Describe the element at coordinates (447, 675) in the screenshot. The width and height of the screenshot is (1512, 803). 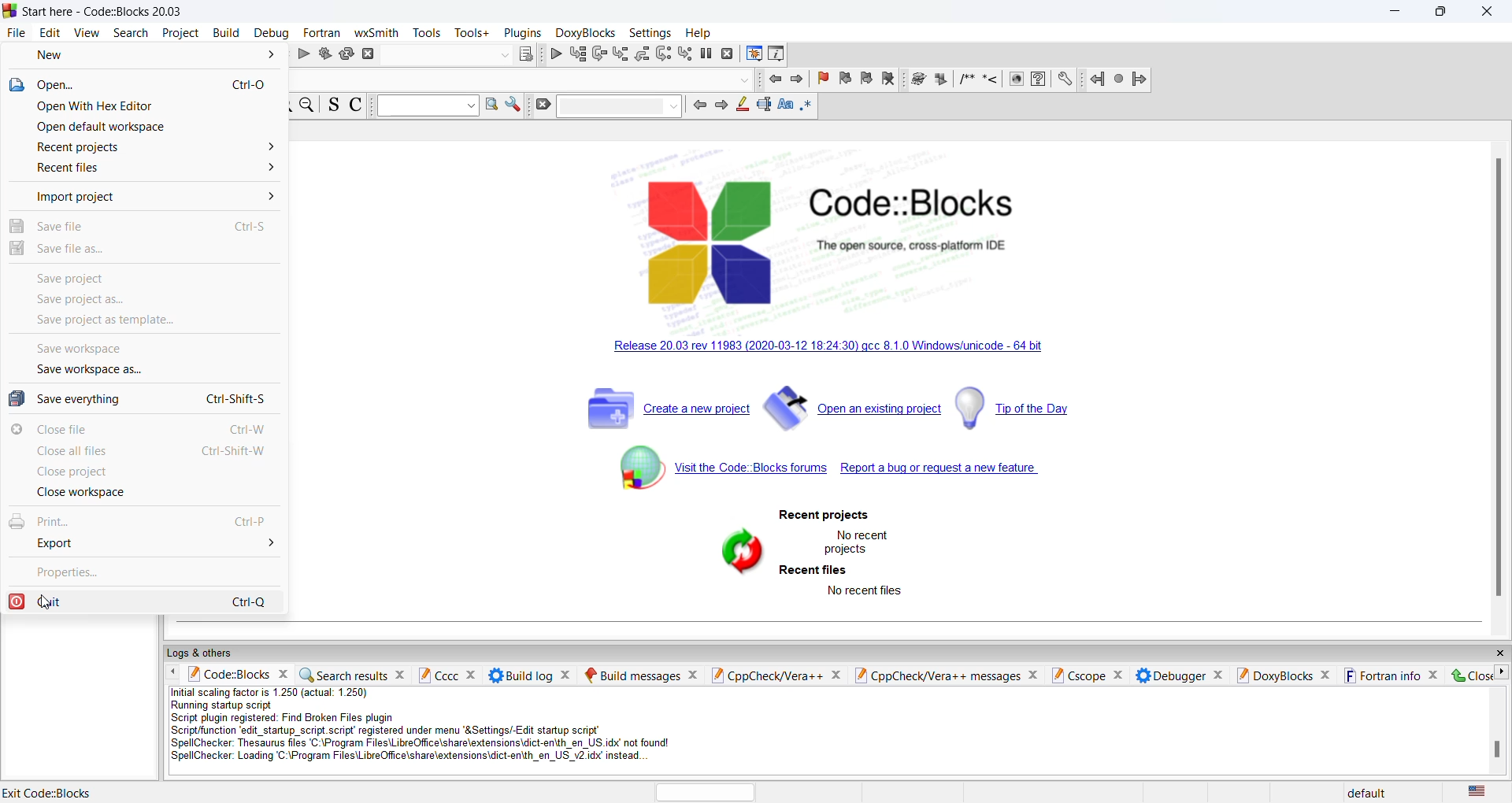
I see `Cccc pane` at that location.